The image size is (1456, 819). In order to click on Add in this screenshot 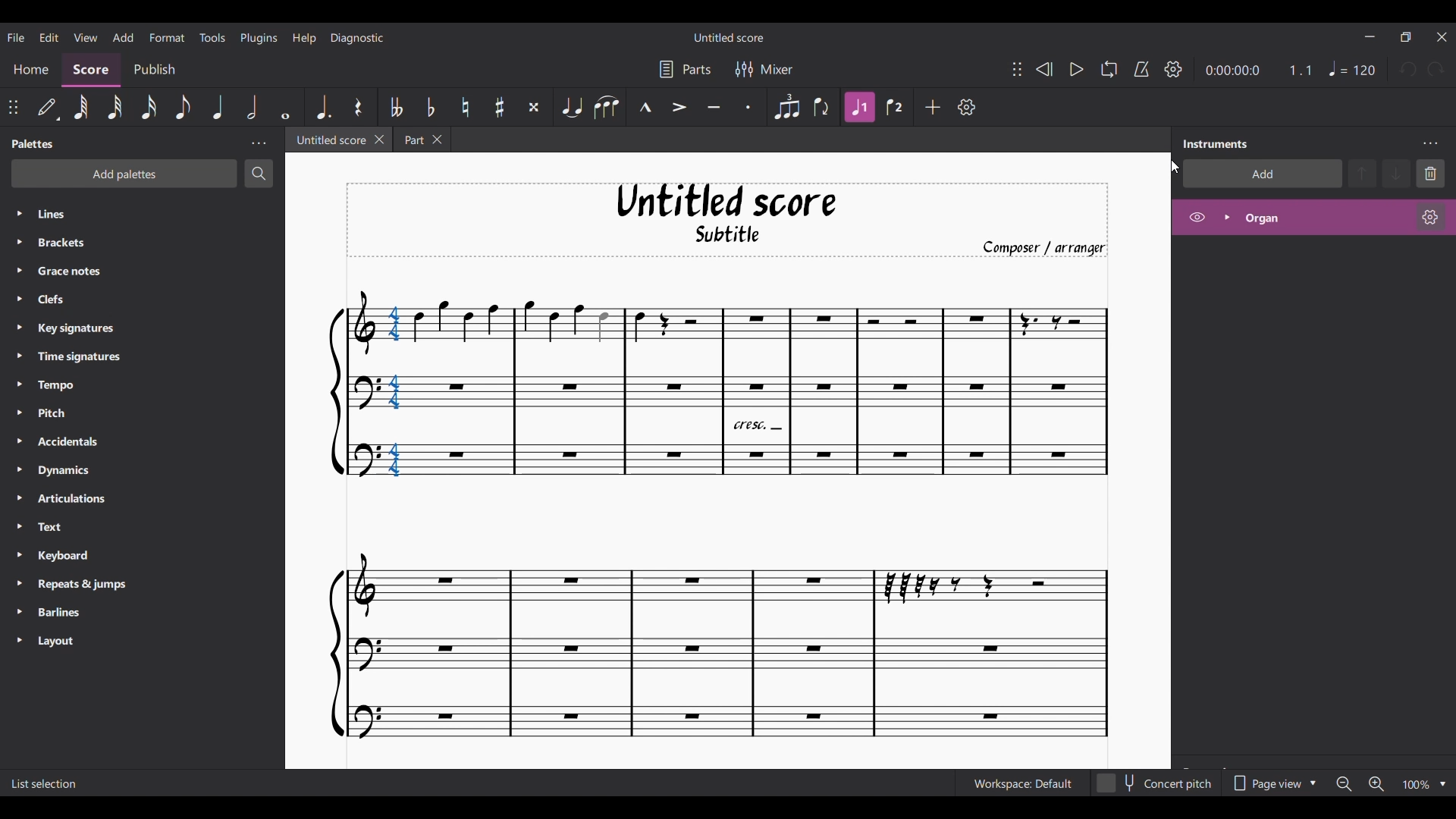, I will do `click(933, 107)`.